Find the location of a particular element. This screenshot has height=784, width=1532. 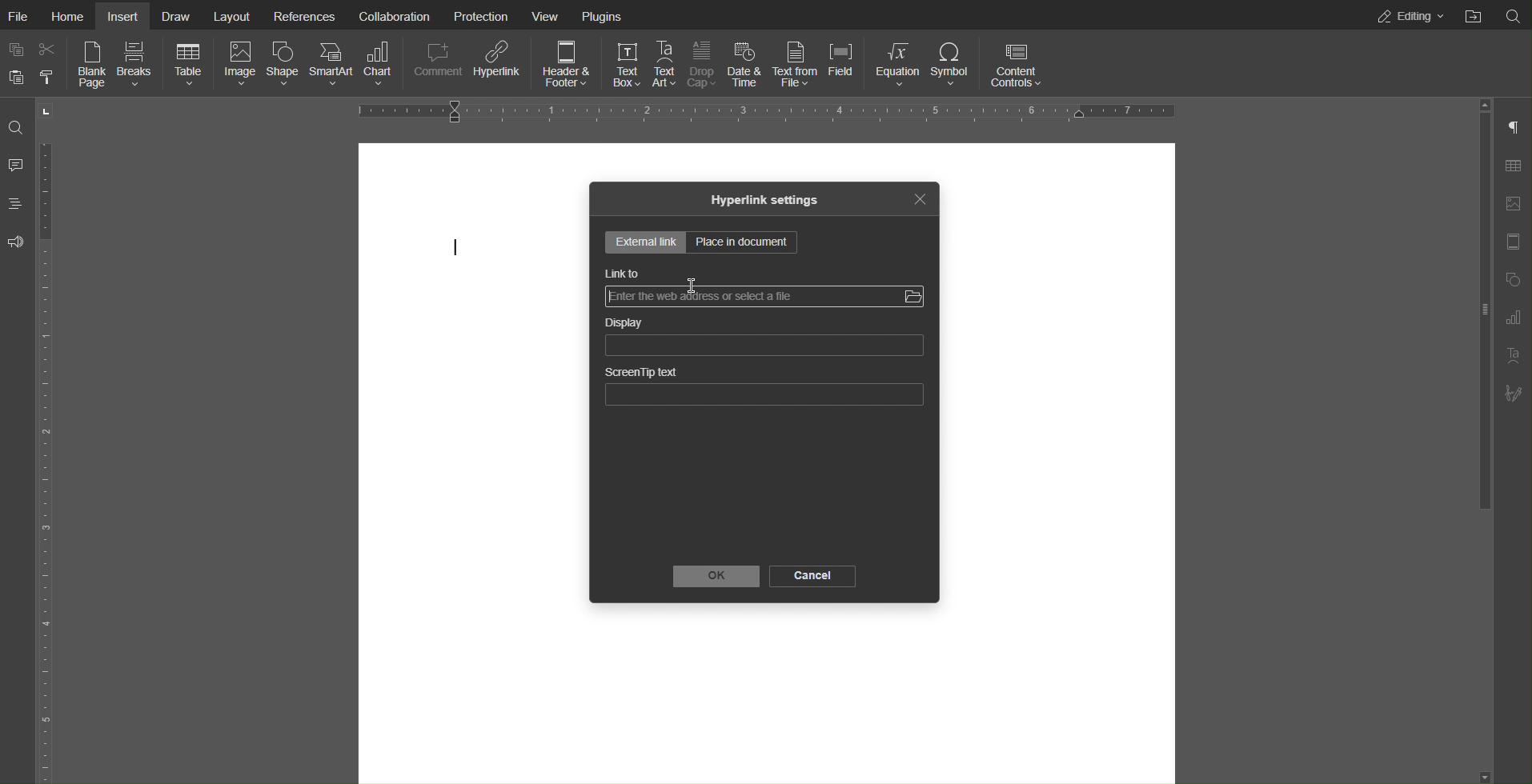

Display Bar is located at coordinates (762, 346).